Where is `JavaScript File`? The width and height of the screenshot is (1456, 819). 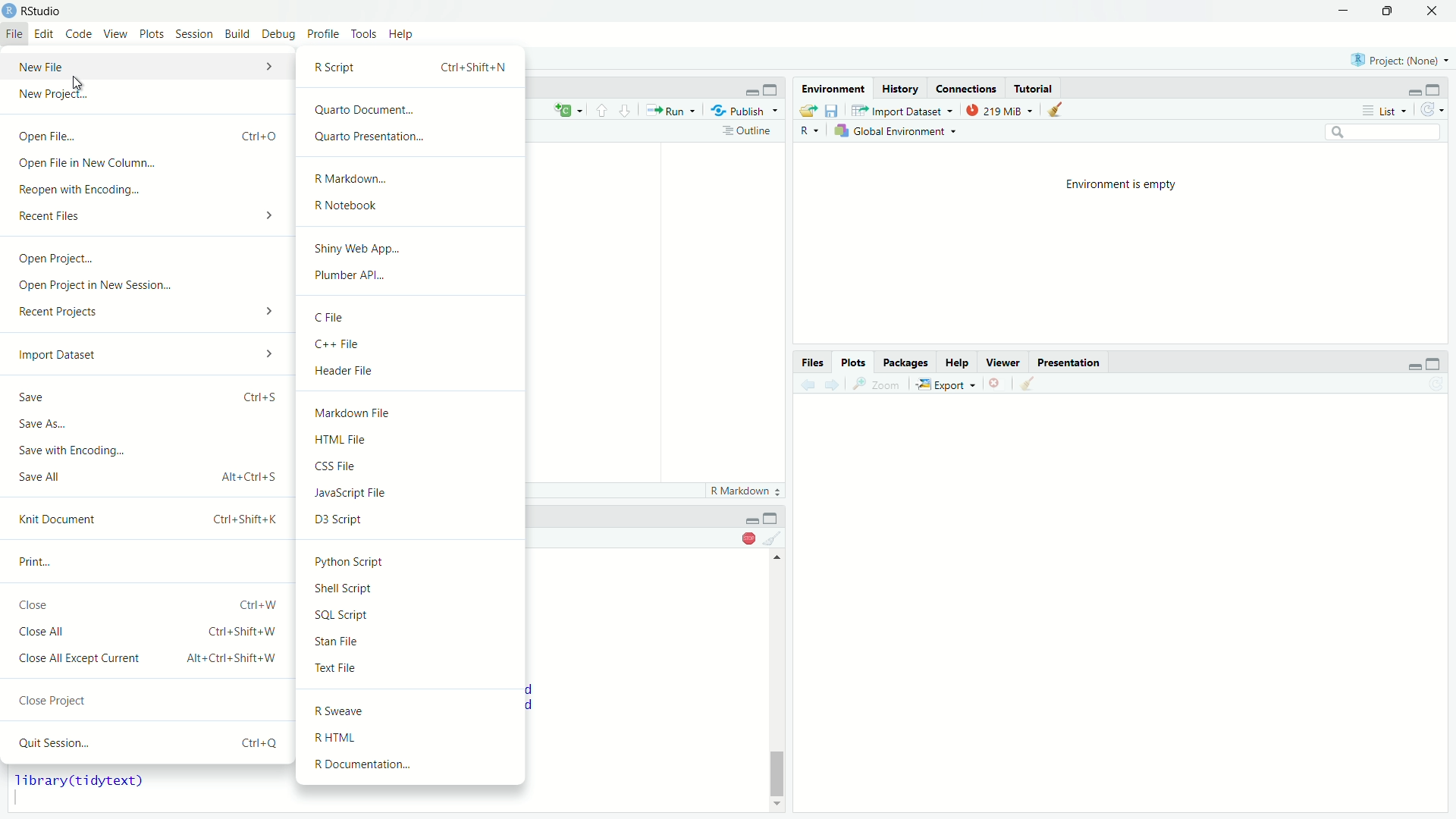 JavaScript File is located at coordinates (414, 490).